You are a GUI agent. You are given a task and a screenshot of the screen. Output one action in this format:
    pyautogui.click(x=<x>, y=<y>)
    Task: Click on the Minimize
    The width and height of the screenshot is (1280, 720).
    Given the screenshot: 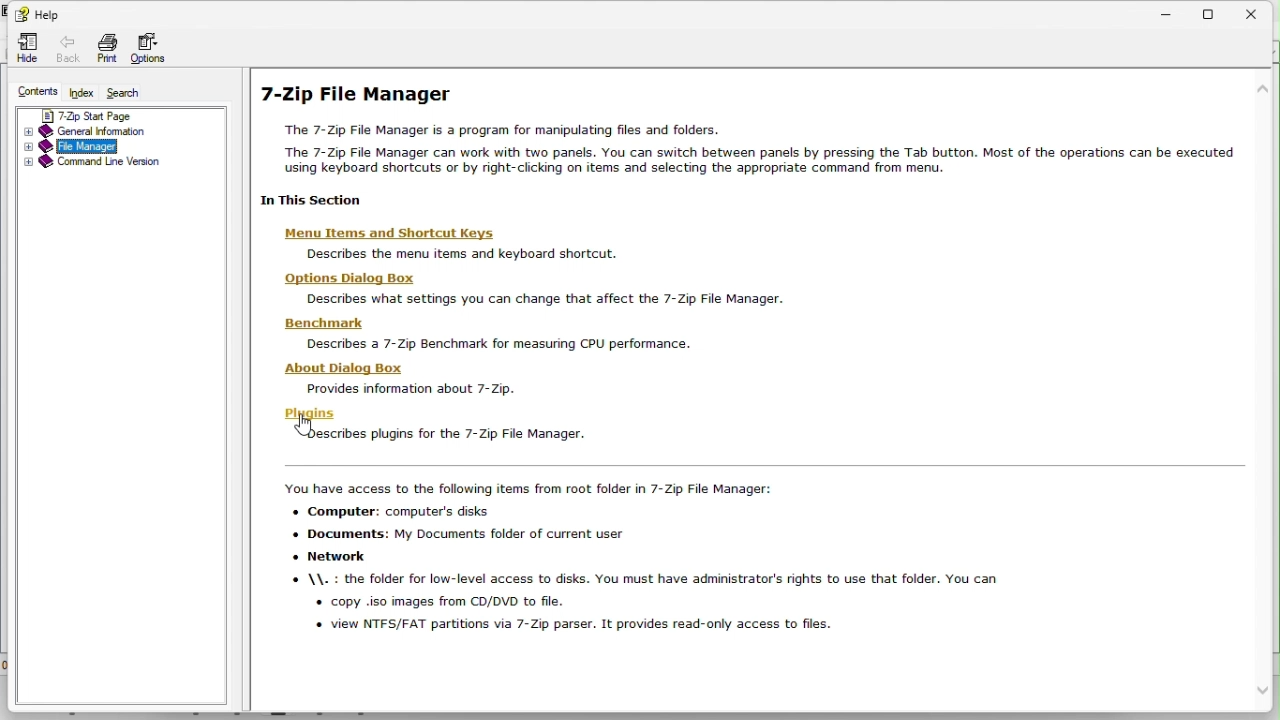 What is the action you would take?
    pyautogui.click(x=1175, y=10)
    